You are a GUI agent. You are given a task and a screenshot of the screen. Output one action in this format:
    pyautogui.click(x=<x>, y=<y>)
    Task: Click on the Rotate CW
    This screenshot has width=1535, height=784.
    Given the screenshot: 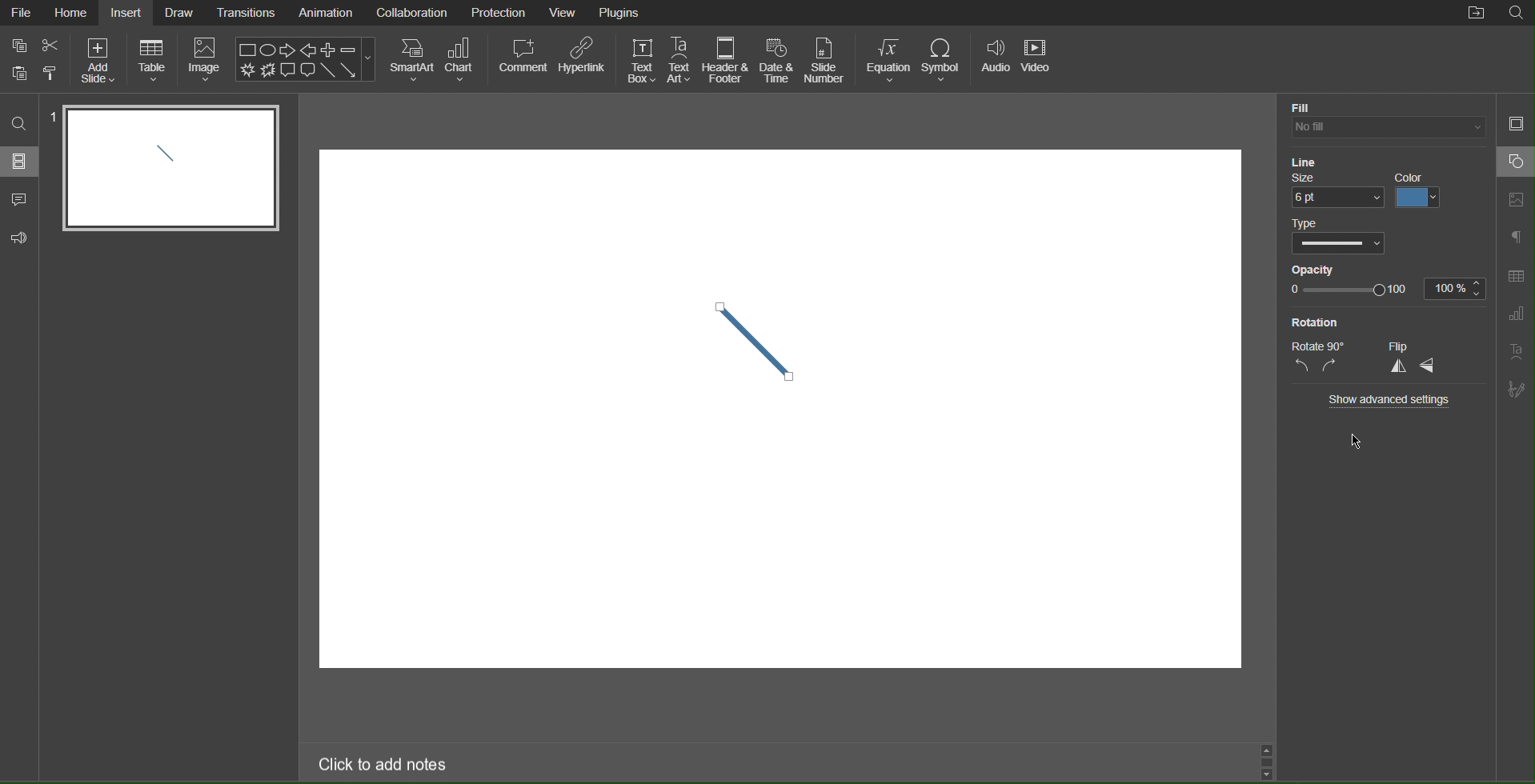 What is the action you would take?
    pyautogui.click(x=1331, y=366)
    